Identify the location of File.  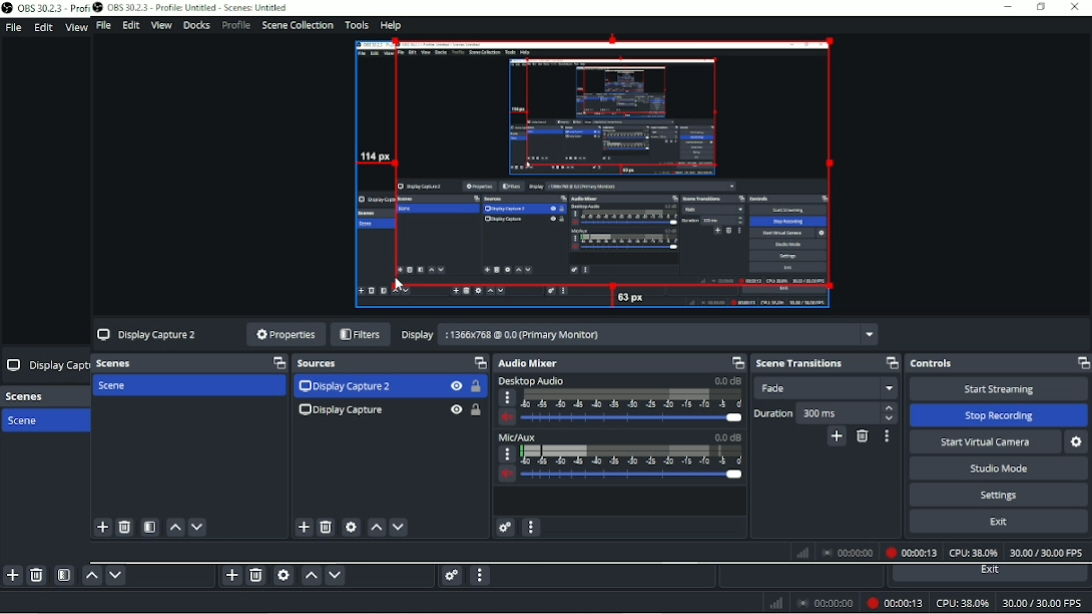
(16, 27).